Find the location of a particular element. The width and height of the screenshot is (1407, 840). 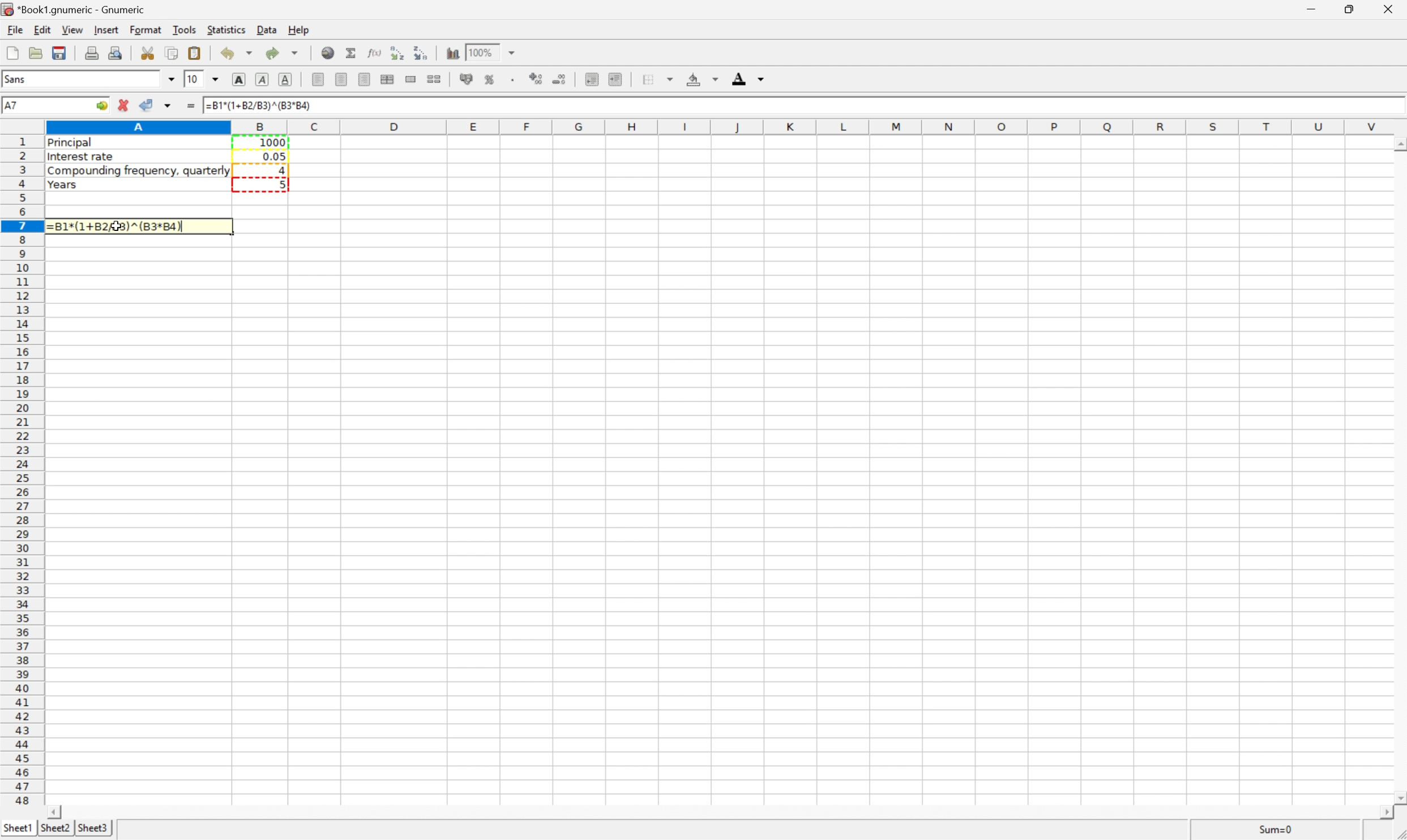

open is located at coordinates (35, 52).